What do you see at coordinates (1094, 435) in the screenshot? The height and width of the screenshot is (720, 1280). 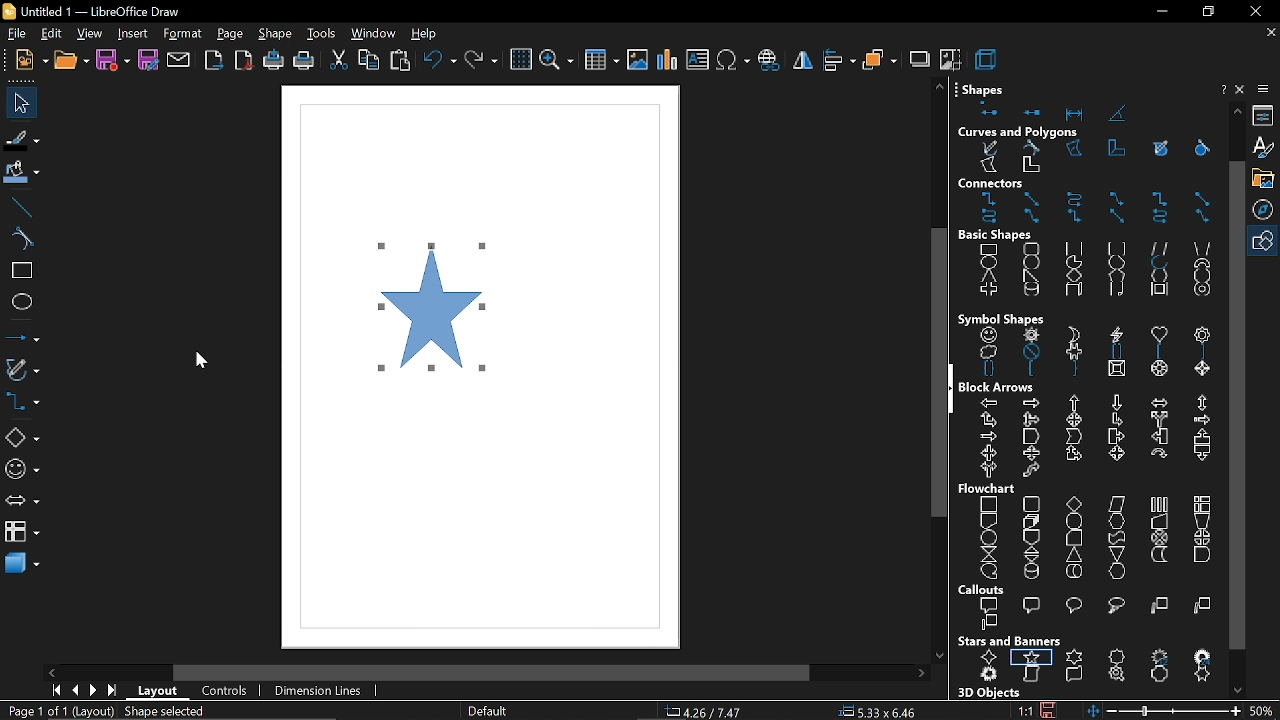 I see `block arrows` at bounding box center [1094, 435].